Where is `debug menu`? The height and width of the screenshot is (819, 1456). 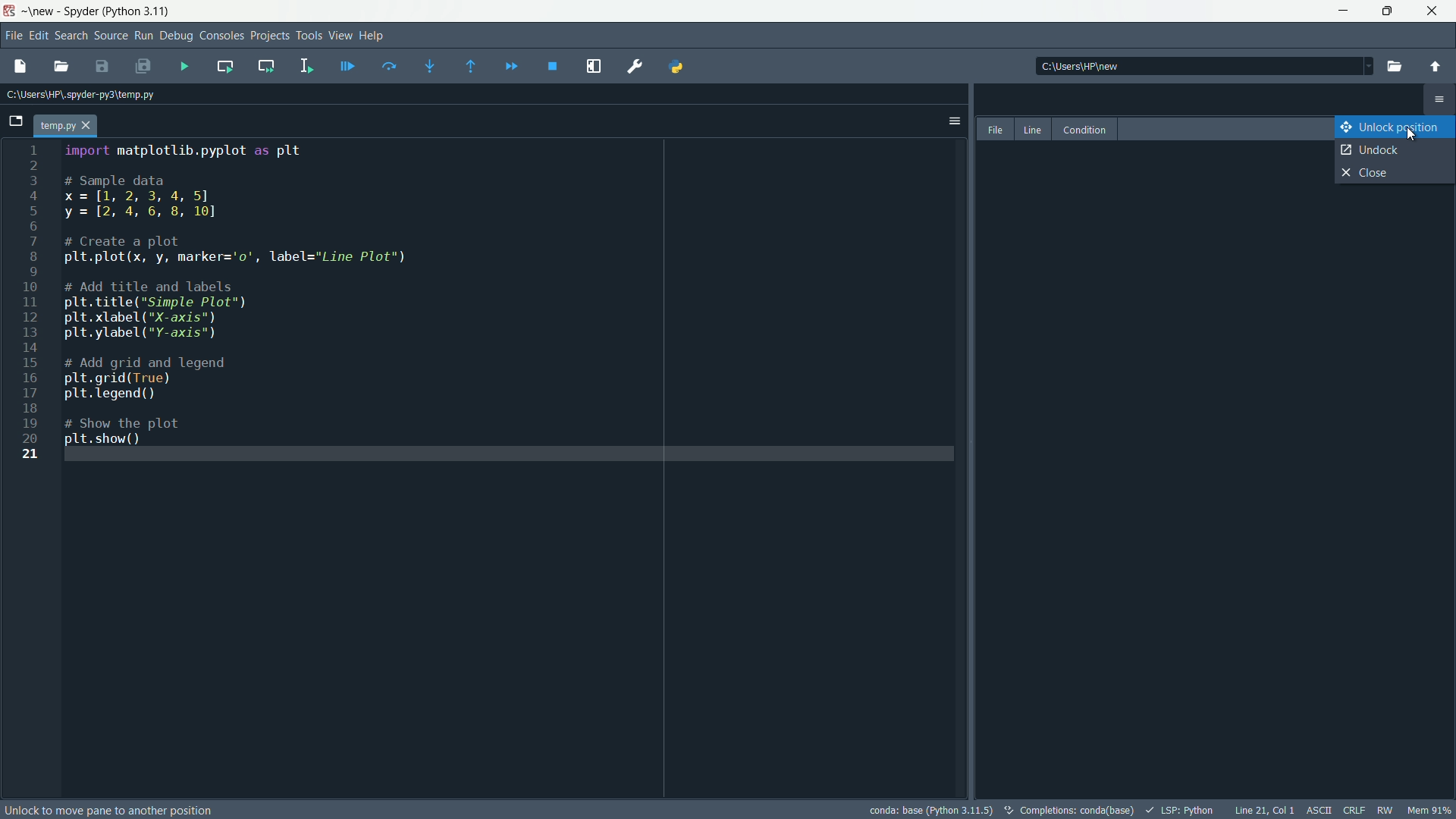 debug menu is located at coordinates (177, 36).